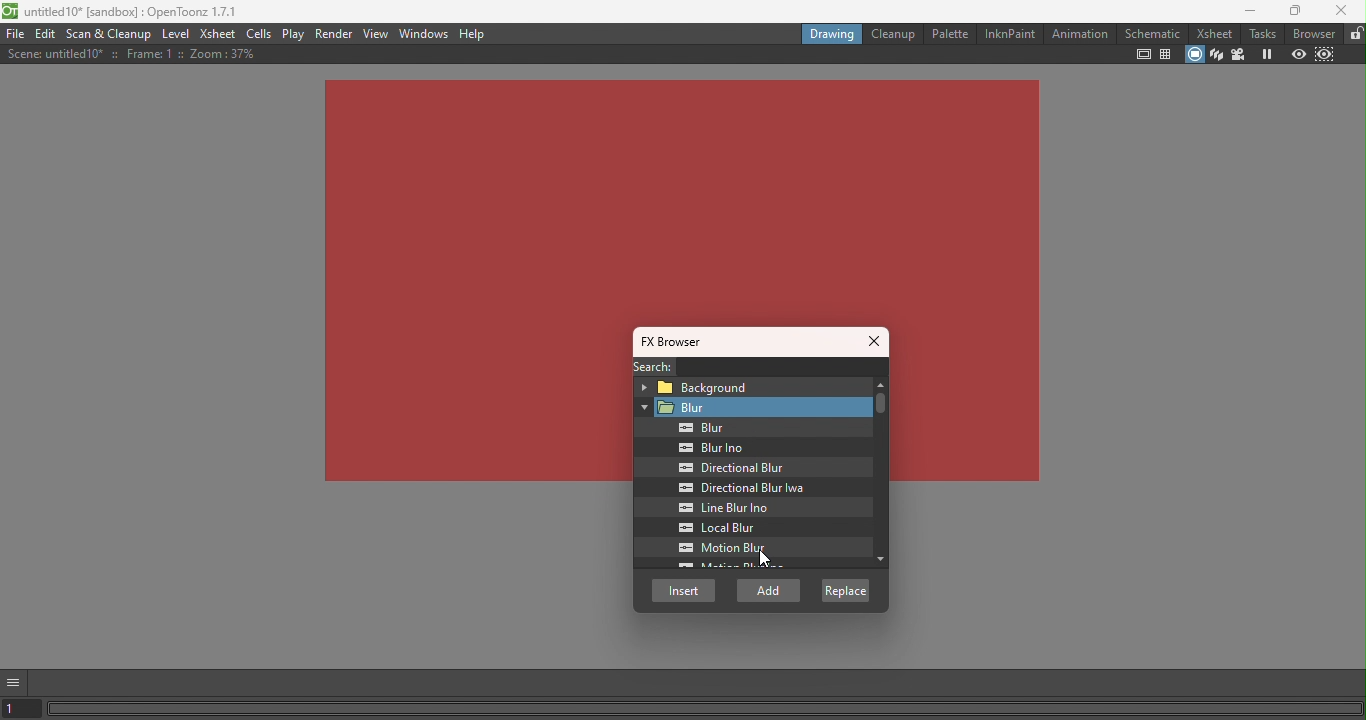 Image resolution: width=1366 pixels, height=720 pixels. What do you see at coordinates (1193, 56) in the screenshot?
I see `Camera stand view` at bounding box center [1193, 56].